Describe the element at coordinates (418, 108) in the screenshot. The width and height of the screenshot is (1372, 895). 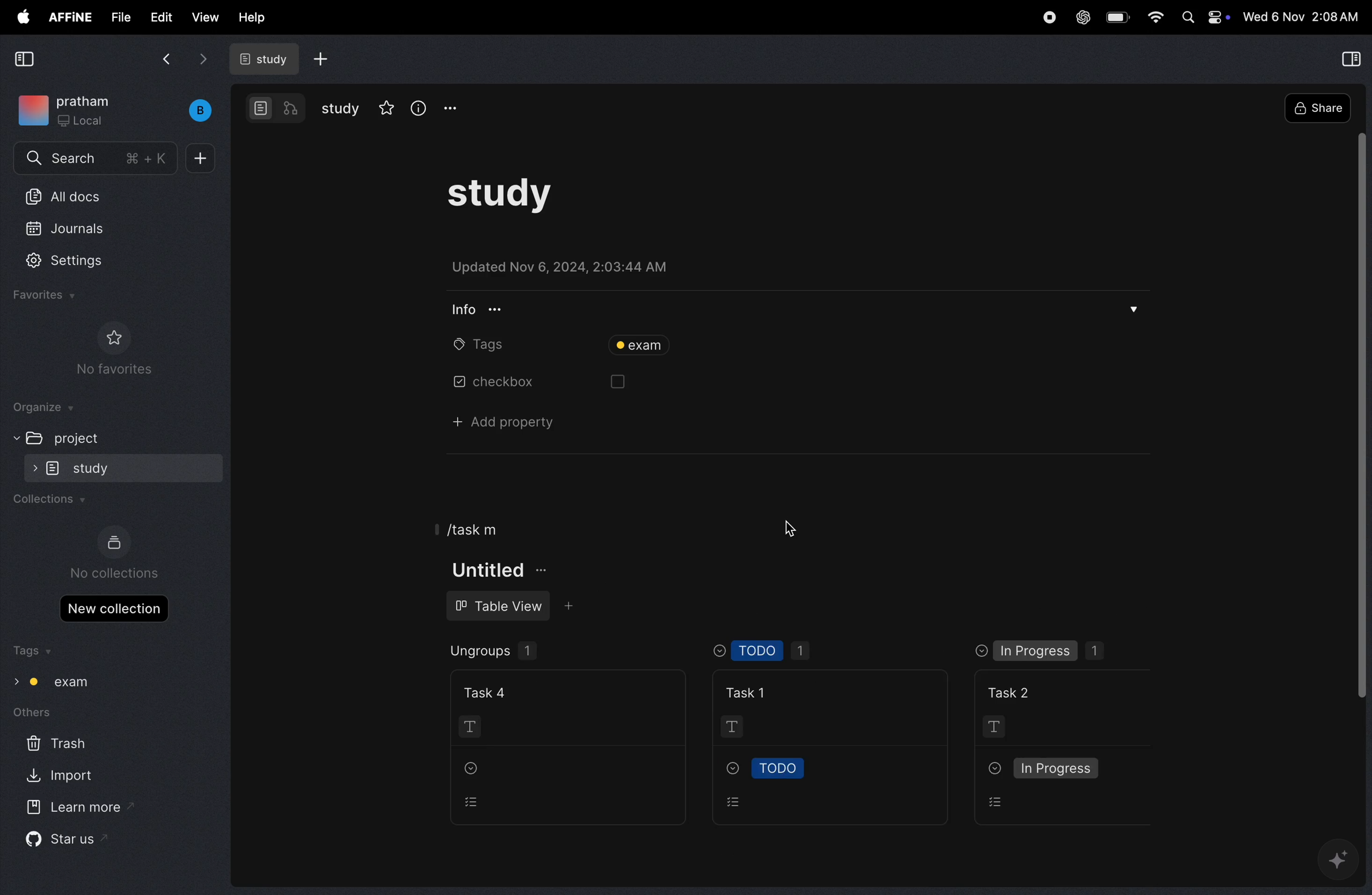
I see `info` at that location.